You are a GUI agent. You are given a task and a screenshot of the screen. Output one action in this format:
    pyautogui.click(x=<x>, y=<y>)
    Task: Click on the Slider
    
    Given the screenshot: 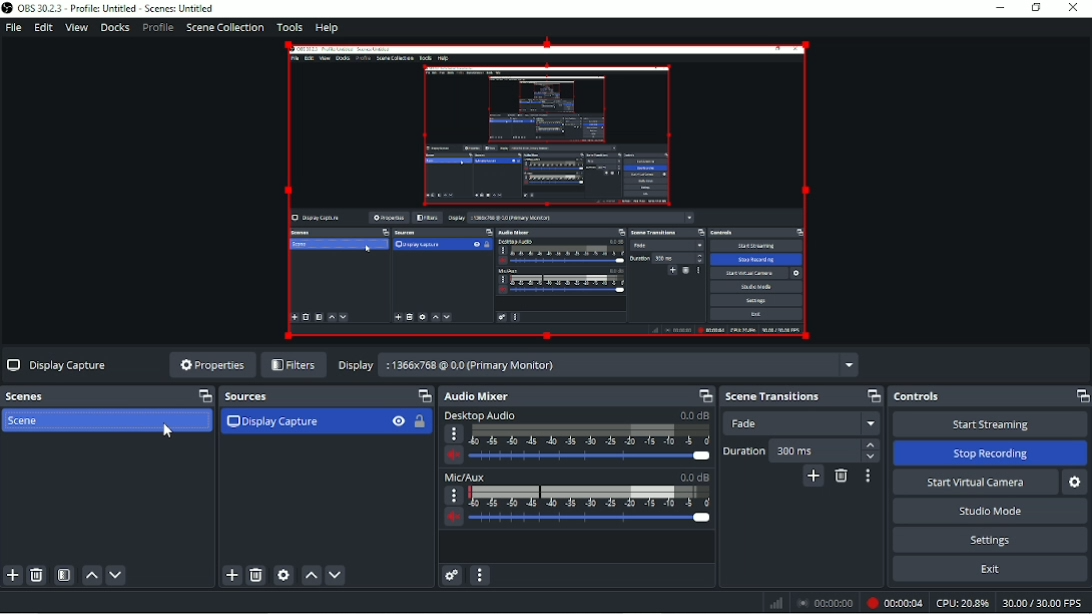 What is the action you would take?
    pyautogui.click(x=593, y=520)
    